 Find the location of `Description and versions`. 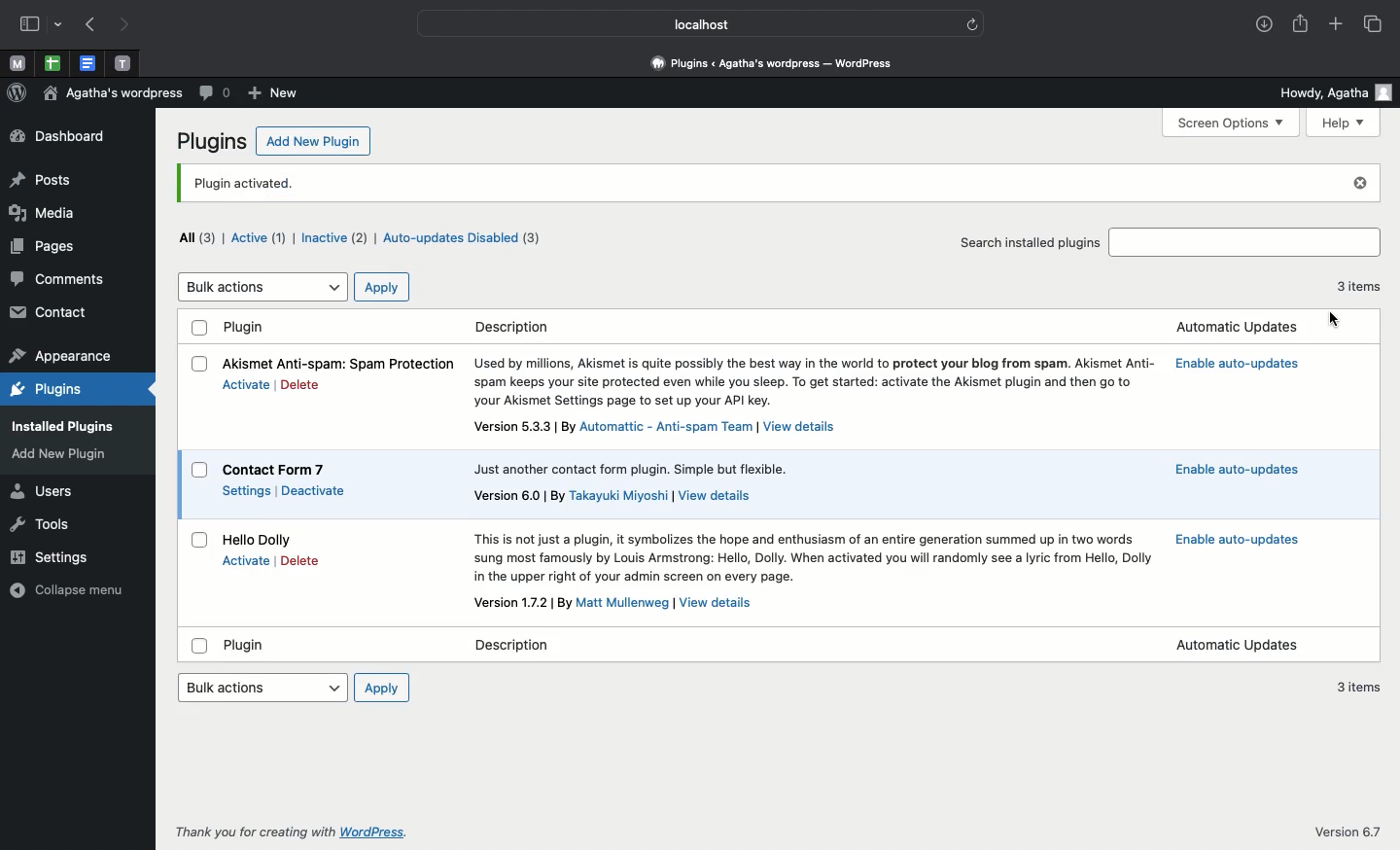

Description and versions is located at coordinates (818, 487).